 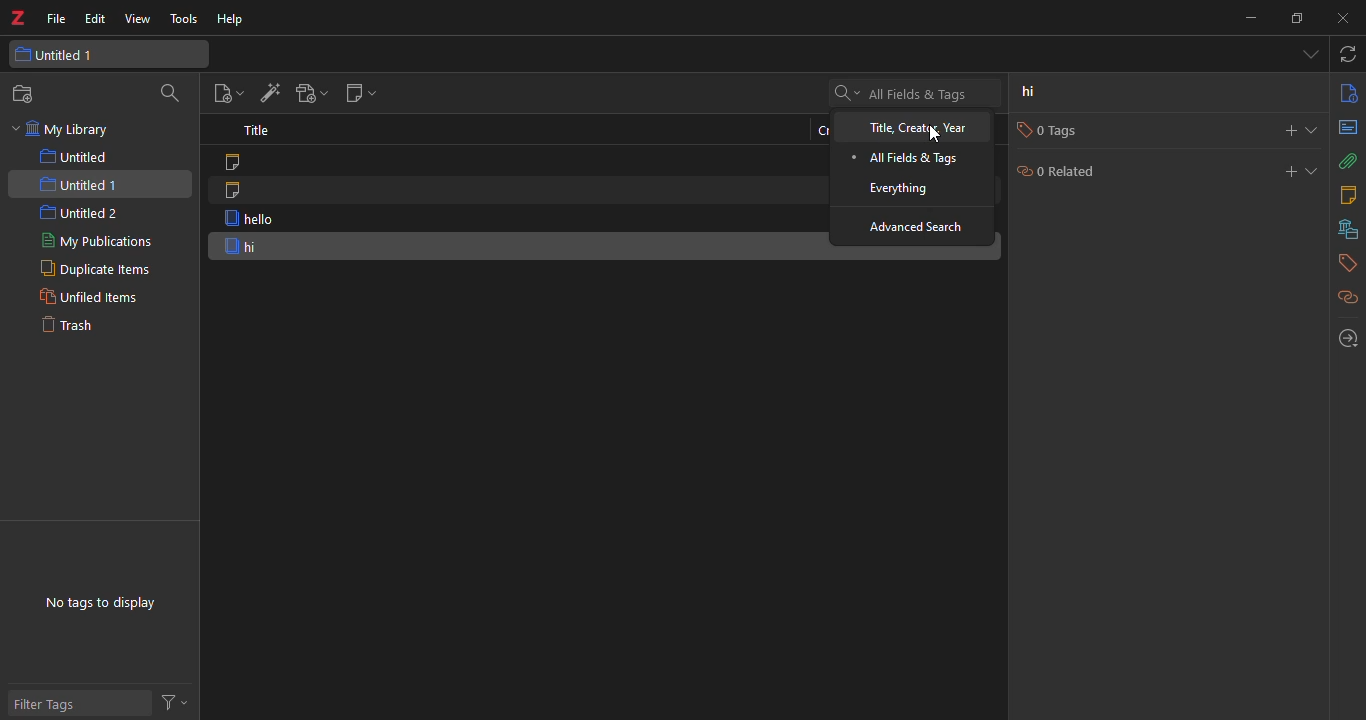 What do you see at coordinates (1249, 16) in the screenshot?
I see `minimize` at bounding box center [1249, 16].